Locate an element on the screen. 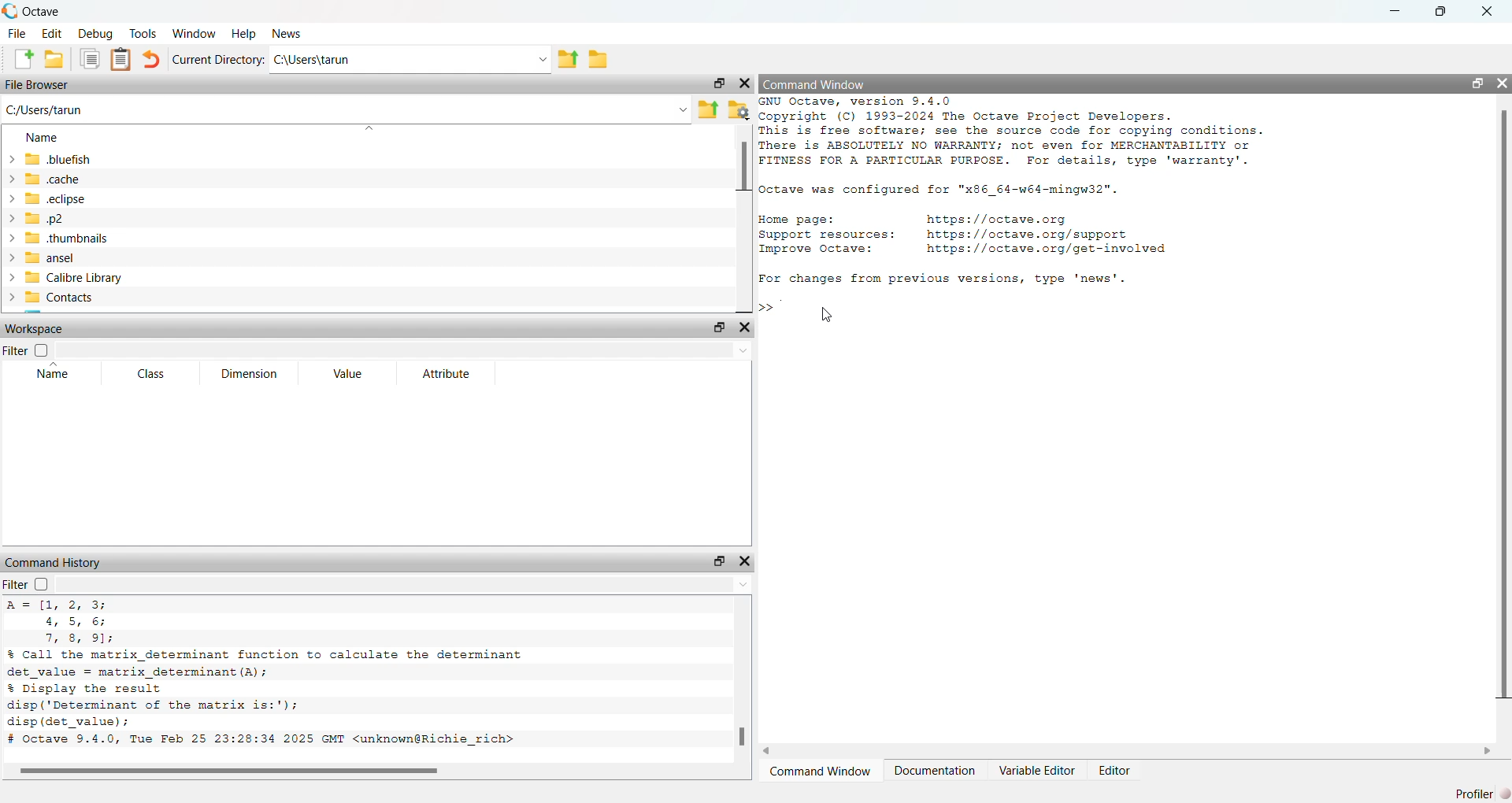  close is located at coordinates (743, 83).